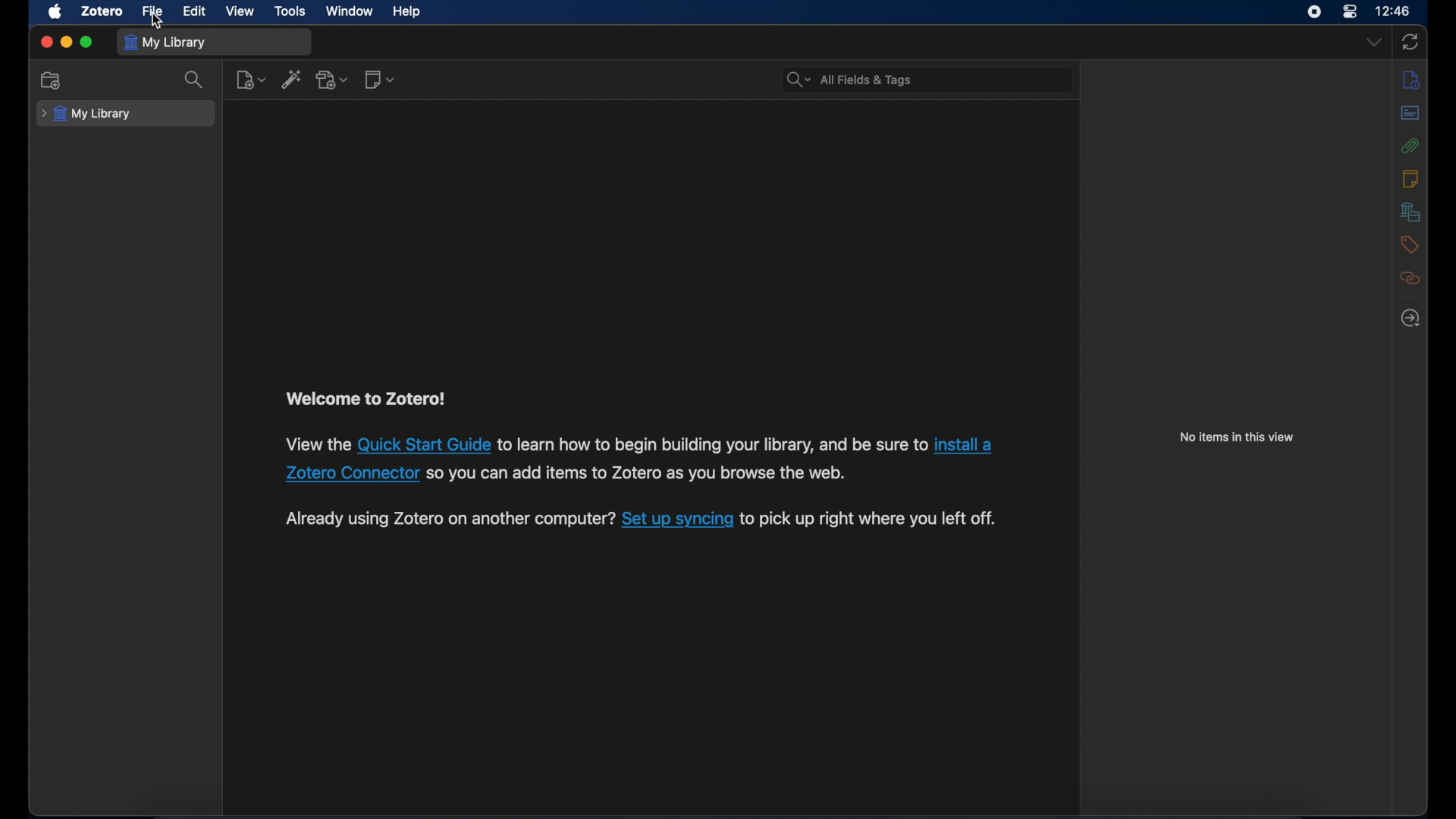 The width and height of the screenshot is (1456, 819). What do you see at coordinates (153, 11) in the screenshot?
I see `file` at bounding box center [153, 11].